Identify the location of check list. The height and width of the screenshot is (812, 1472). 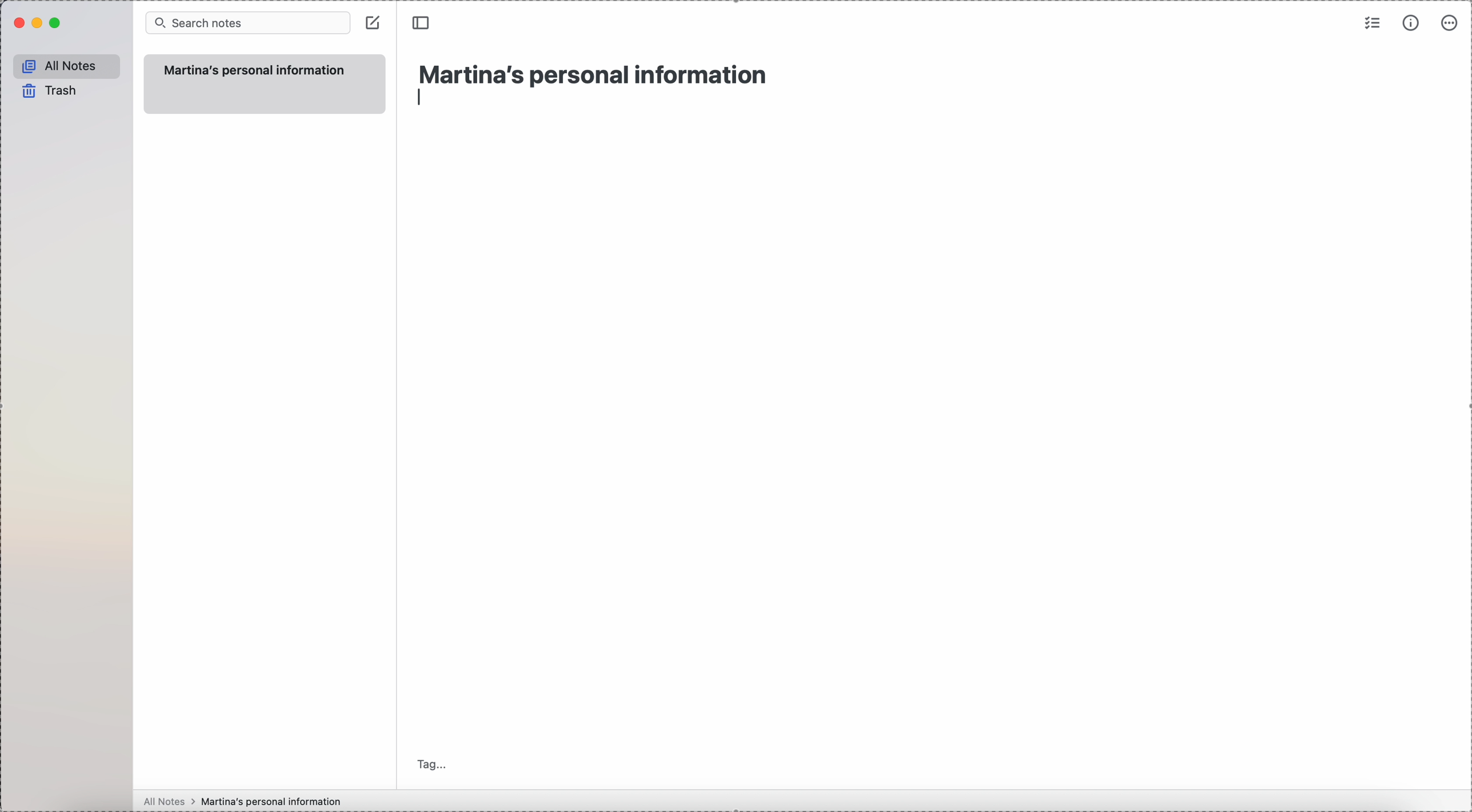
(1371, 25).